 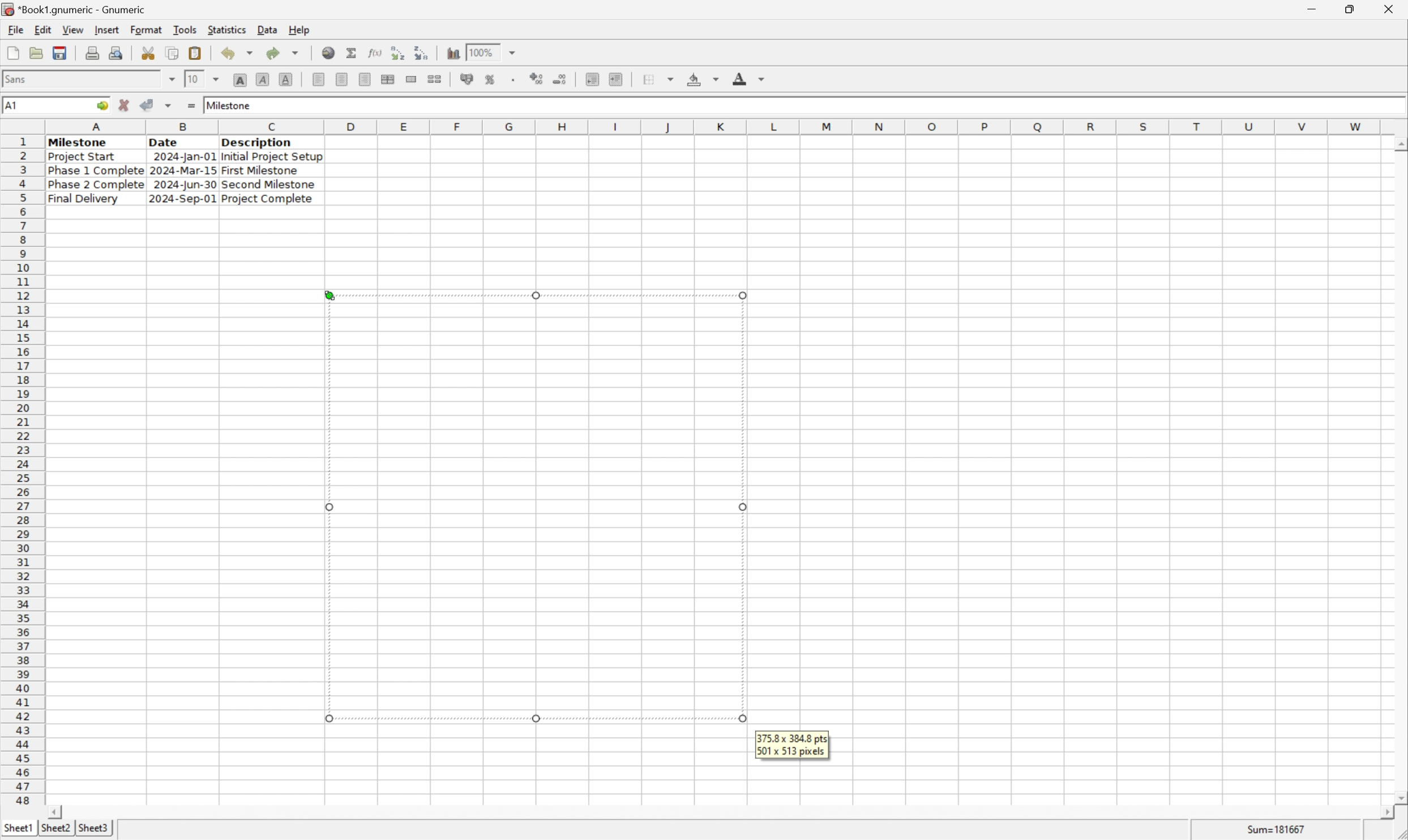 I want to click on font color, so click(x=749, y=78).